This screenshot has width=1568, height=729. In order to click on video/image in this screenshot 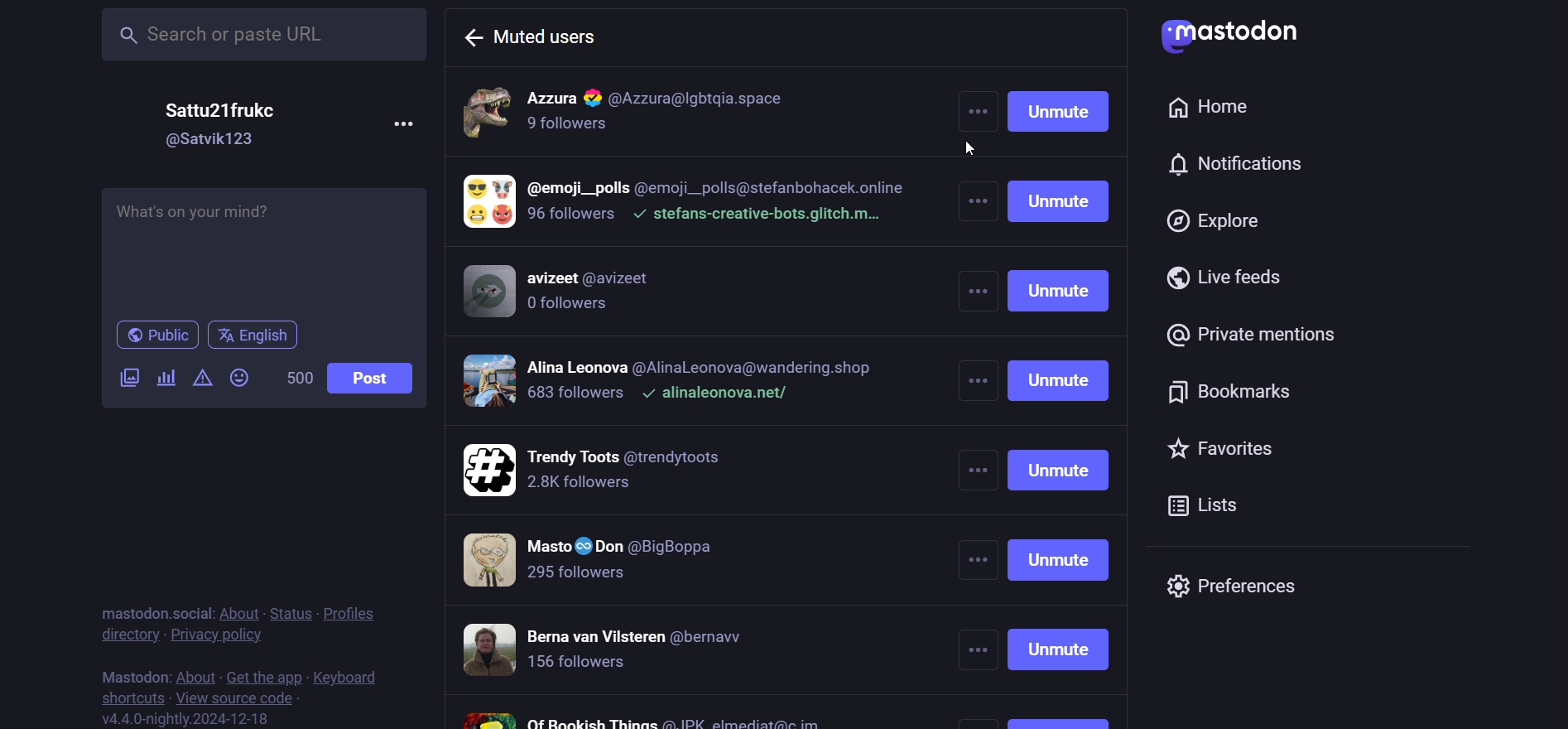, I will do `click(129, 379)`.